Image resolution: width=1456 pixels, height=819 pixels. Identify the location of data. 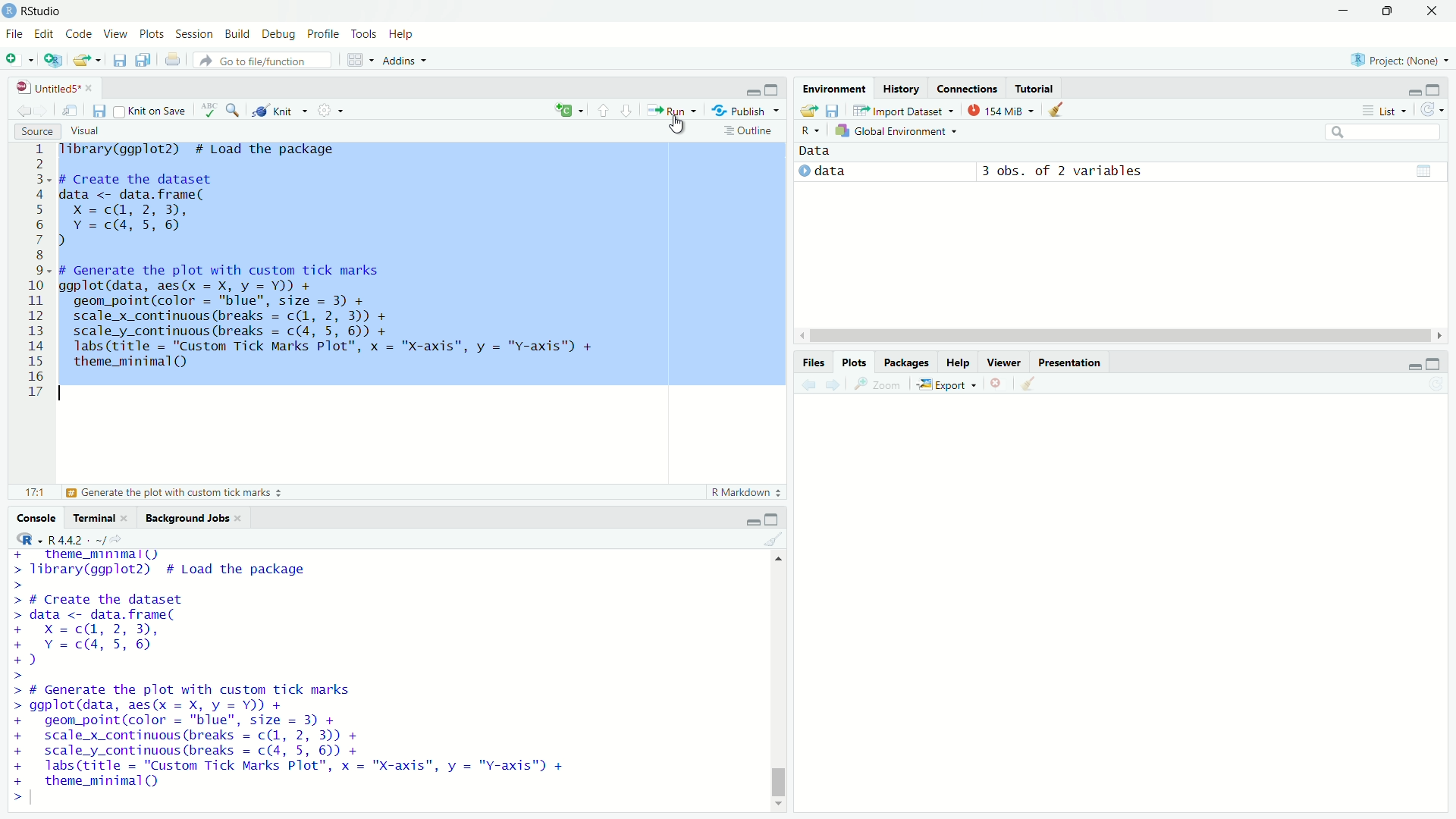
(836, 171).